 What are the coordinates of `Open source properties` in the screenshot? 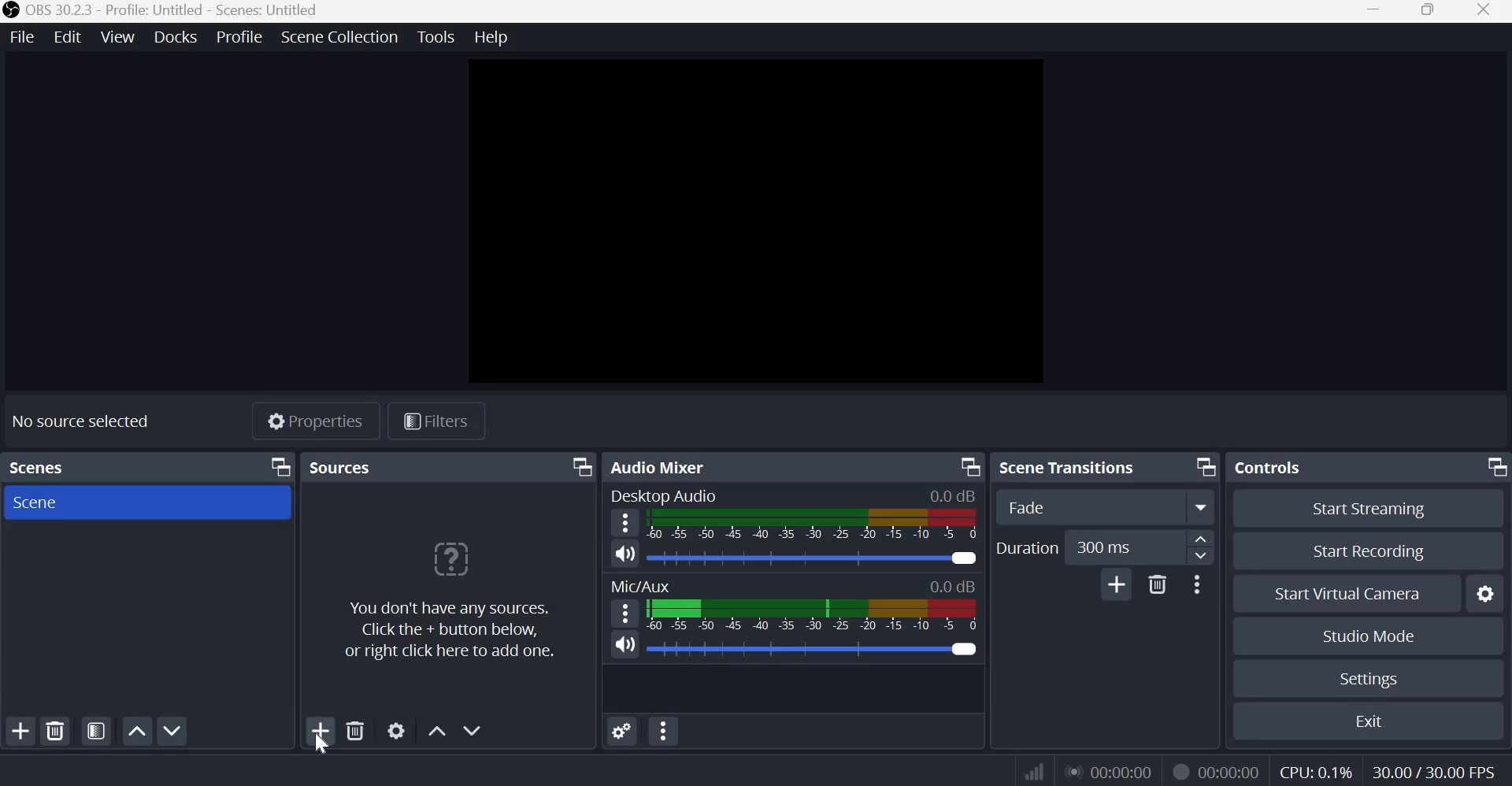 It's located at (396, 730).